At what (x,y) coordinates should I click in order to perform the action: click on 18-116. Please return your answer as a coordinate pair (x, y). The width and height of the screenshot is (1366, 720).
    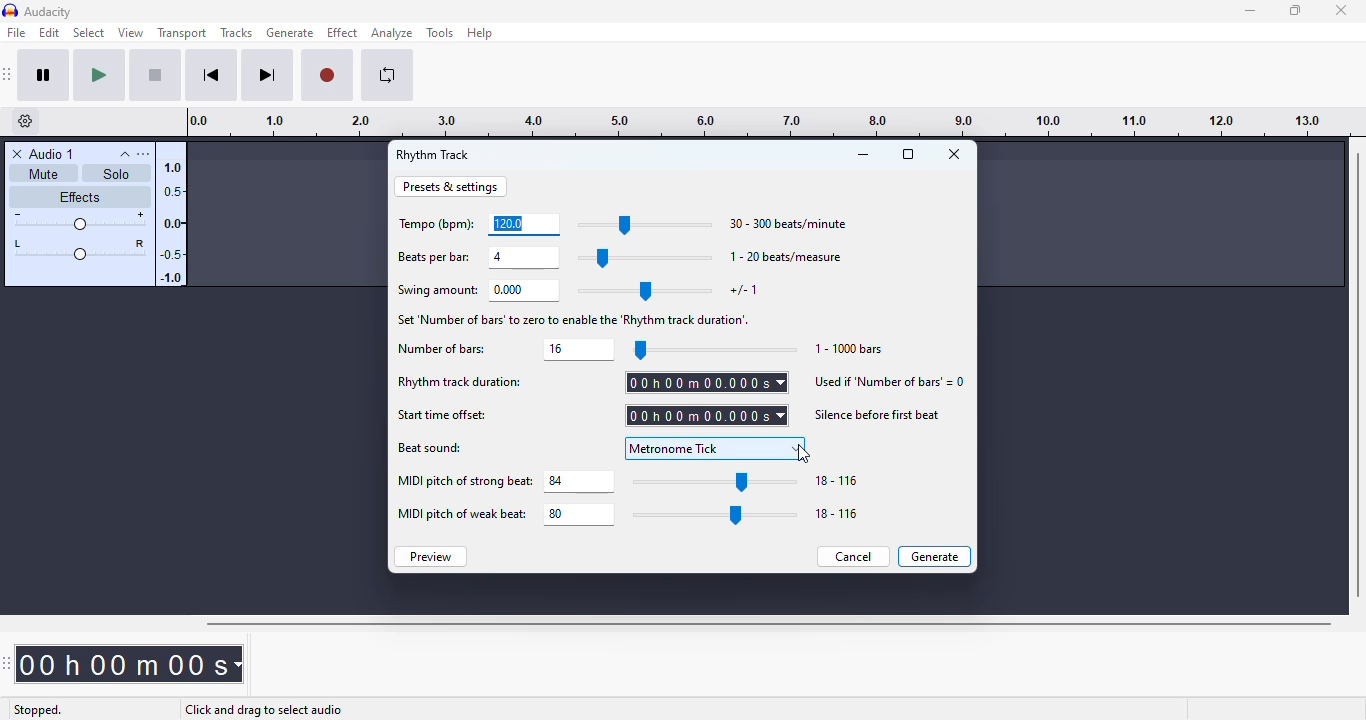
    Looking at the image, I should click on (837, 481).